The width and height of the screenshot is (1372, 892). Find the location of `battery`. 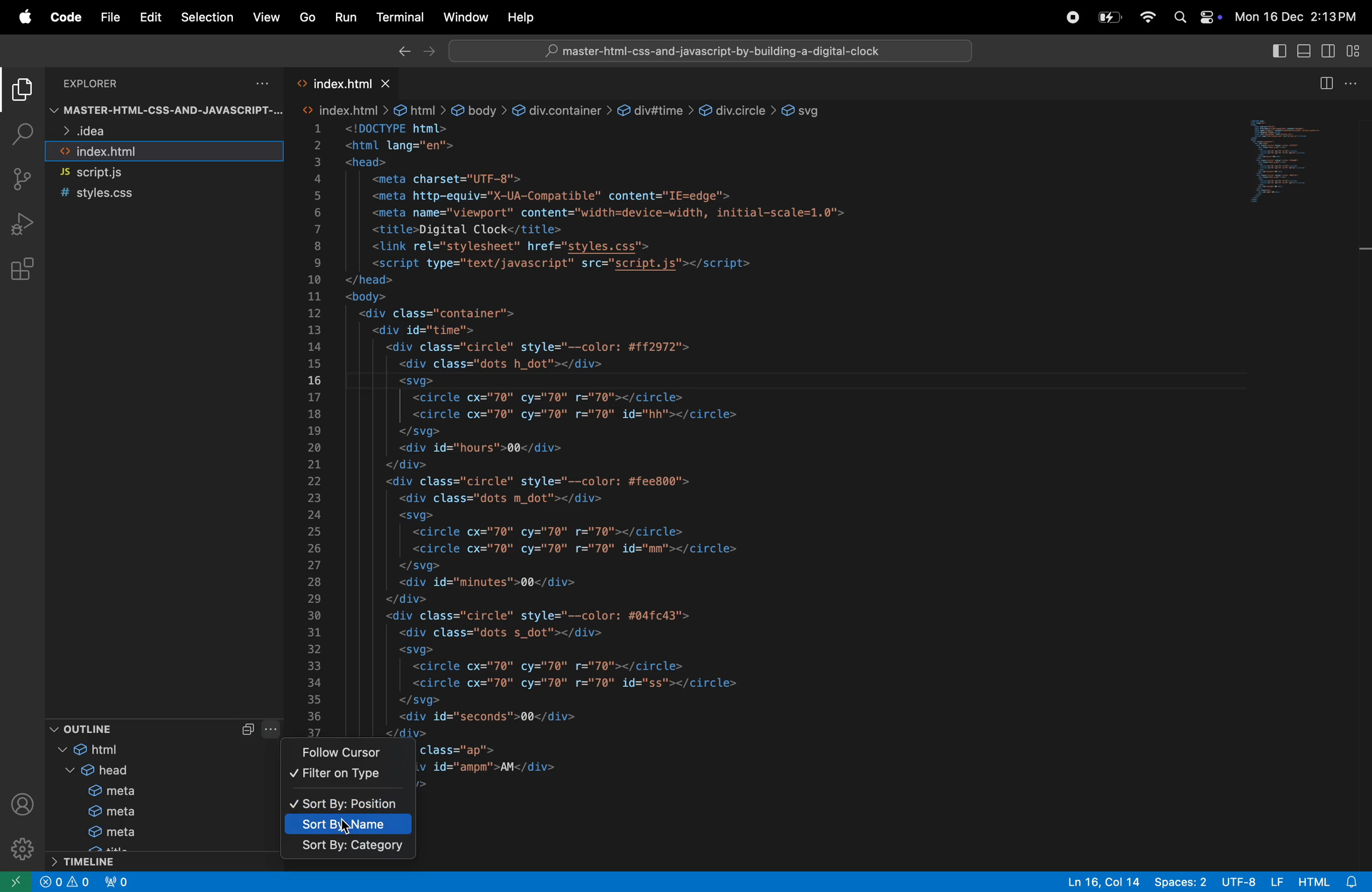

battery is located at coordinates (1109, 17).